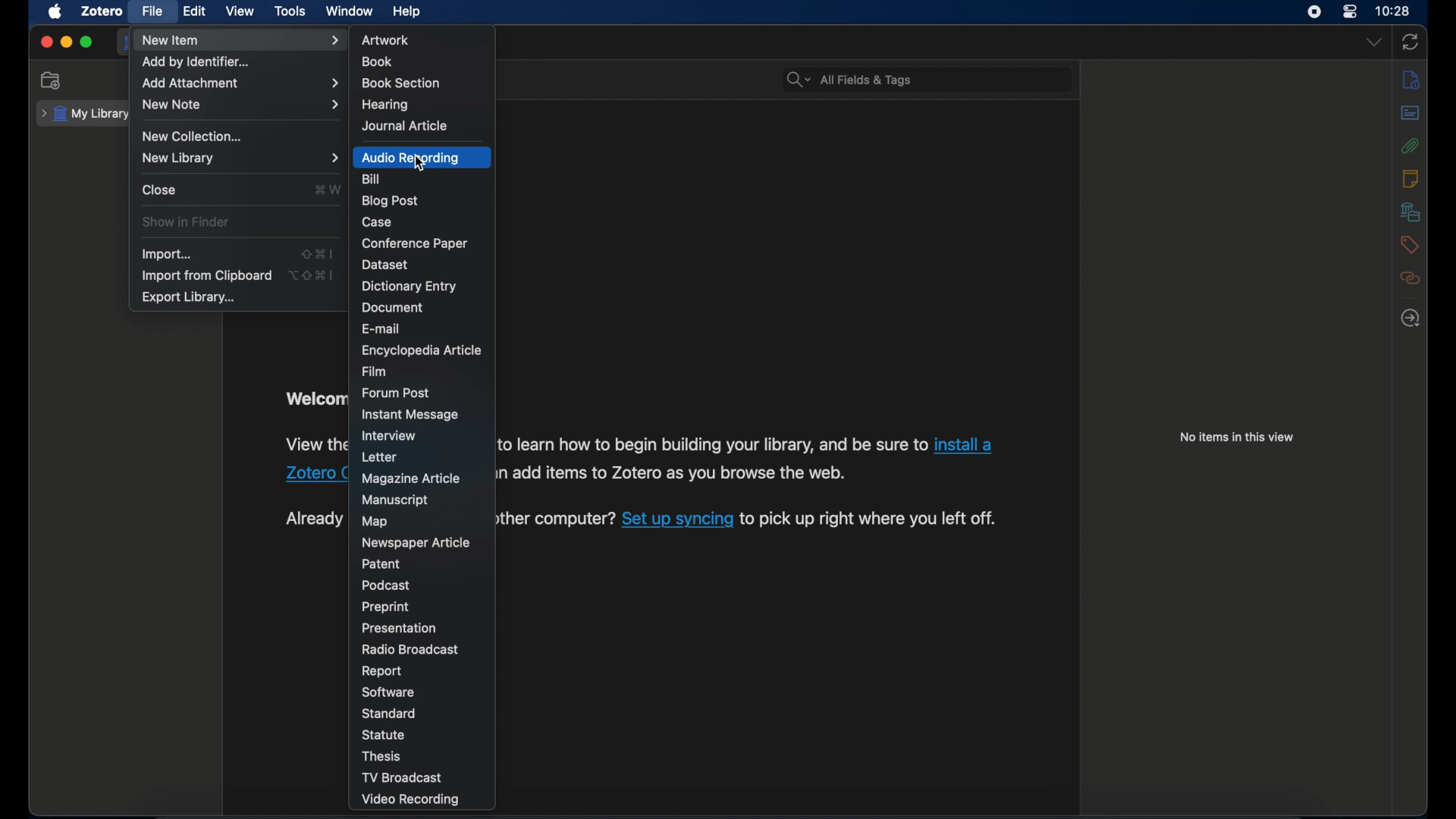 The height and width of the screenshot is (819, 1456). What do you see at coordinates (392, 714) in the screenshot?
I see `standard` at bounding box center [392, 714].